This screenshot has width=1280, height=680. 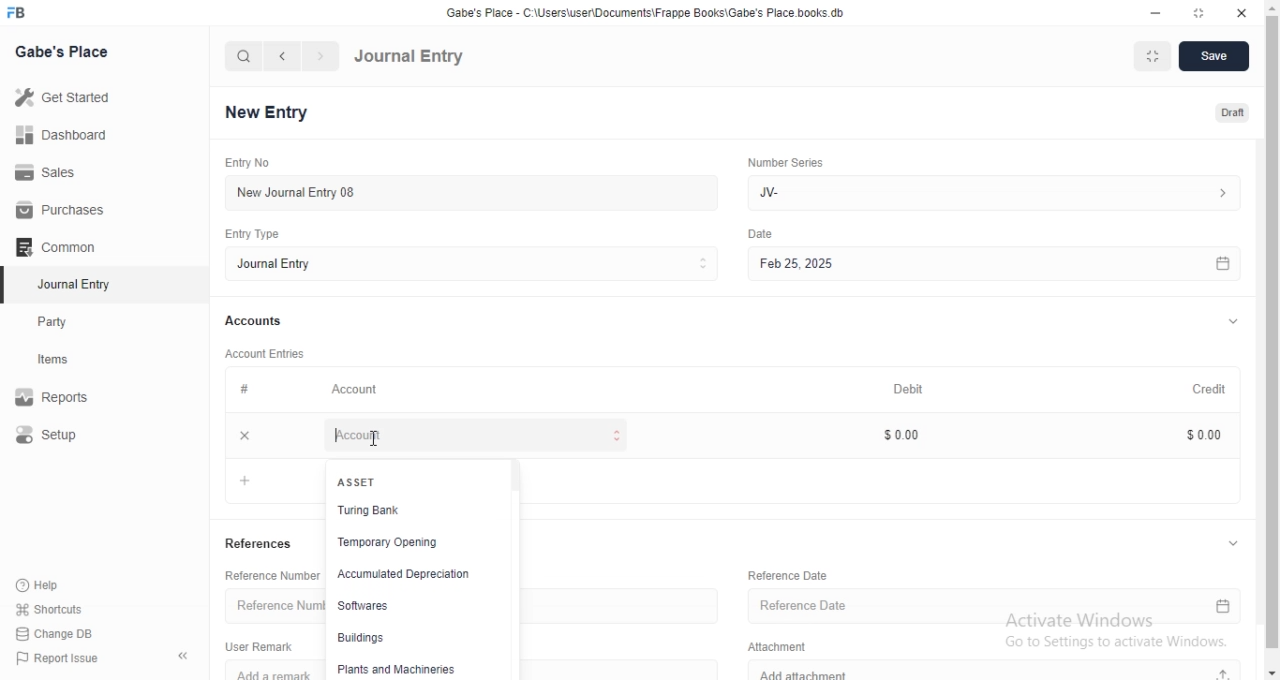 What do you see at coordinates (255, 322) in the screenshot?
I see `Accounts` at bounding box center [255, 322].